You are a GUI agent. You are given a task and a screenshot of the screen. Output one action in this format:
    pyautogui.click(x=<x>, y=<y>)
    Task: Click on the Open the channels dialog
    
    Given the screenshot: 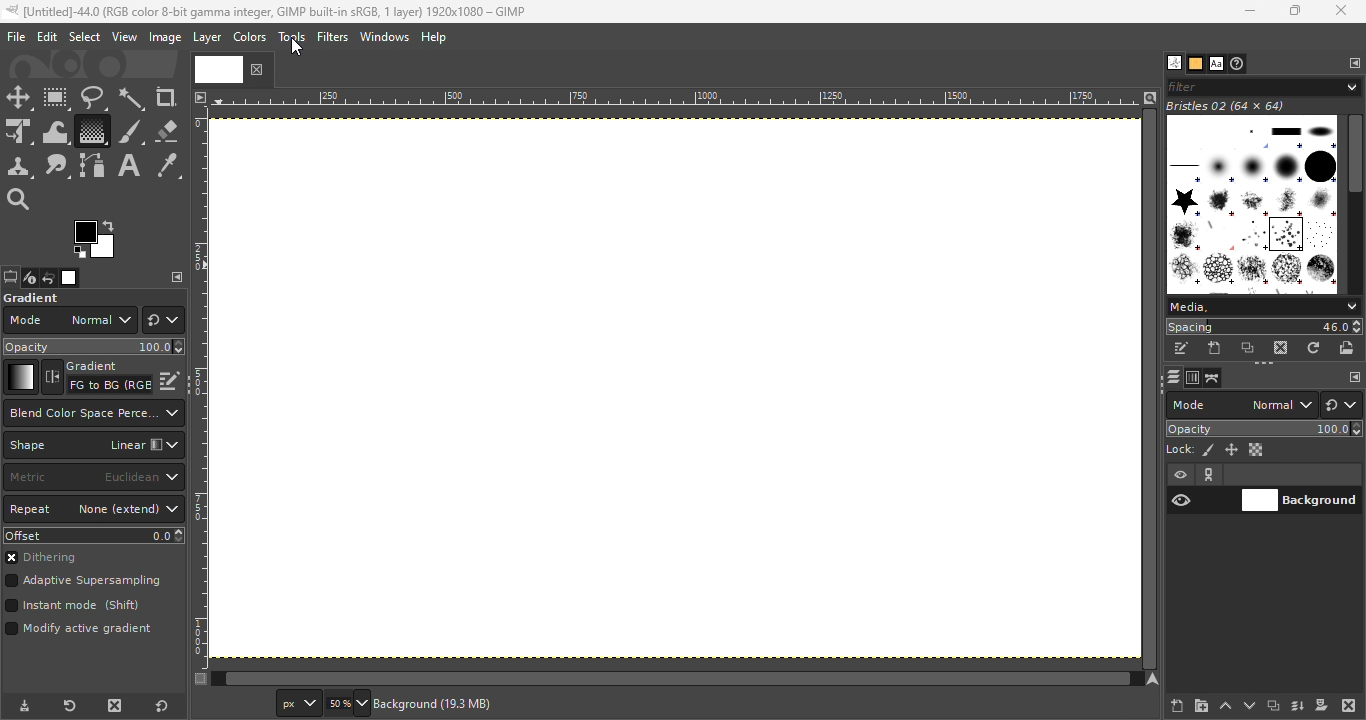 What is the action you would take?
    pyautogui.click(x=1191, y=376)
    